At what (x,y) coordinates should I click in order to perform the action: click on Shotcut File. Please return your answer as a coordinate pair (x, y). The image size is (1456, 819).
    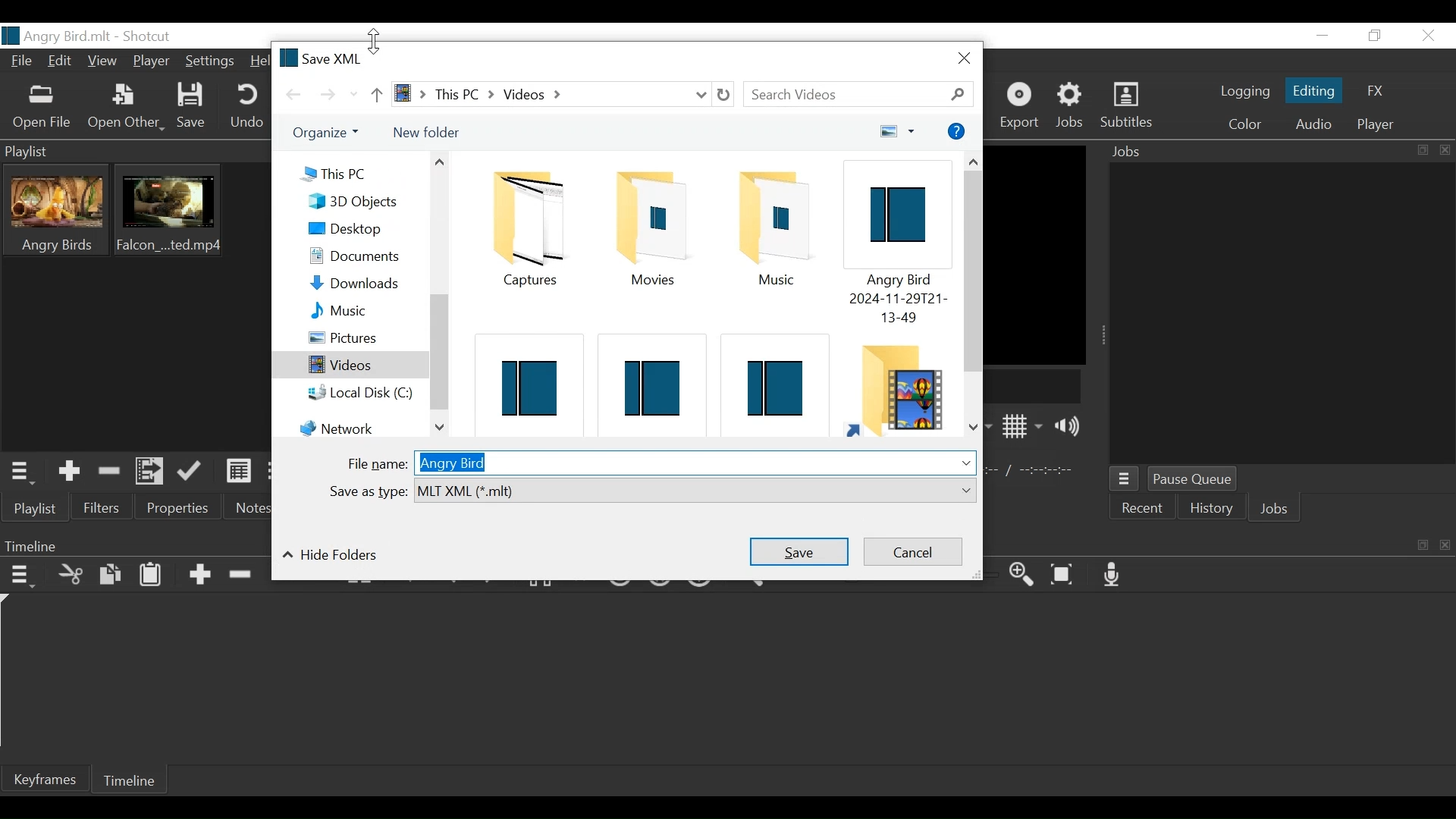
    Looking at the image, I should click on (647, 381).